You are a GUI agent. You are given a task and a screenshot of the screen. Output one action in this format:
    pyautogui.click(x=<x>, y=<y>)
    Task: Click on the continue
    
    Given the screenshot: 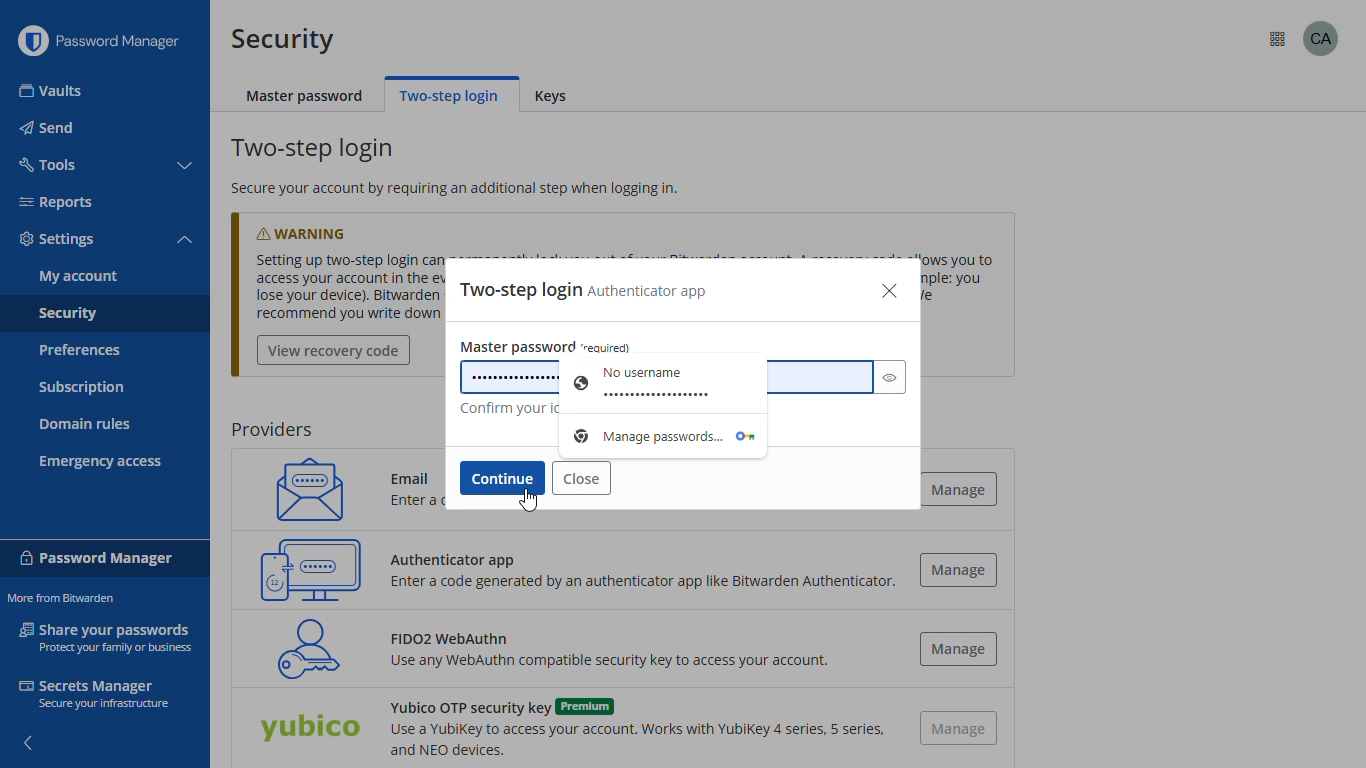 What is the action you would take?
    pyautogui.click(x=504, y=479)
    